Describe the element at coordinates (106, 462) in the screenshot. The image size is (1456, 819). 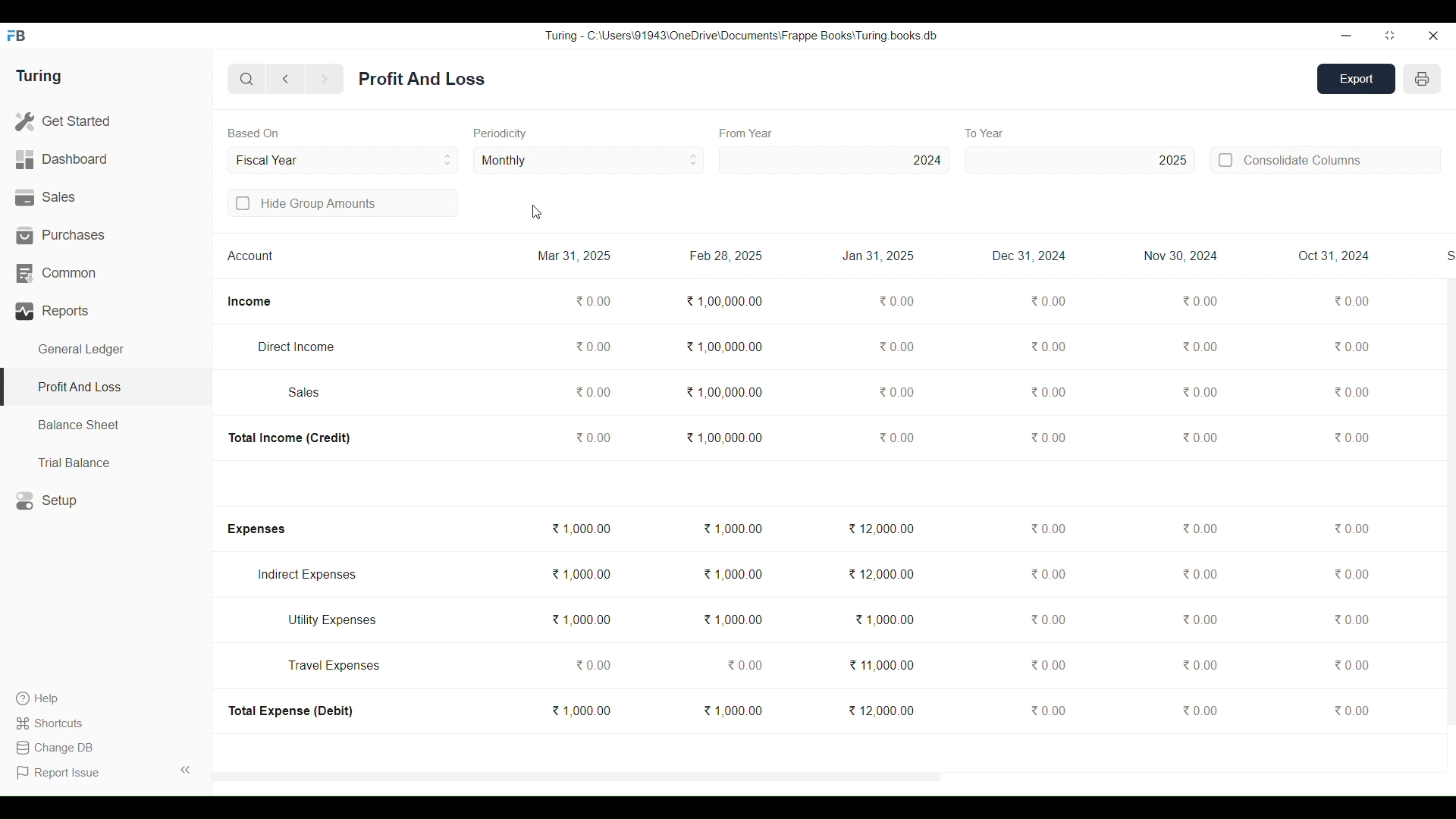
I see `Trial Balance` at that location.